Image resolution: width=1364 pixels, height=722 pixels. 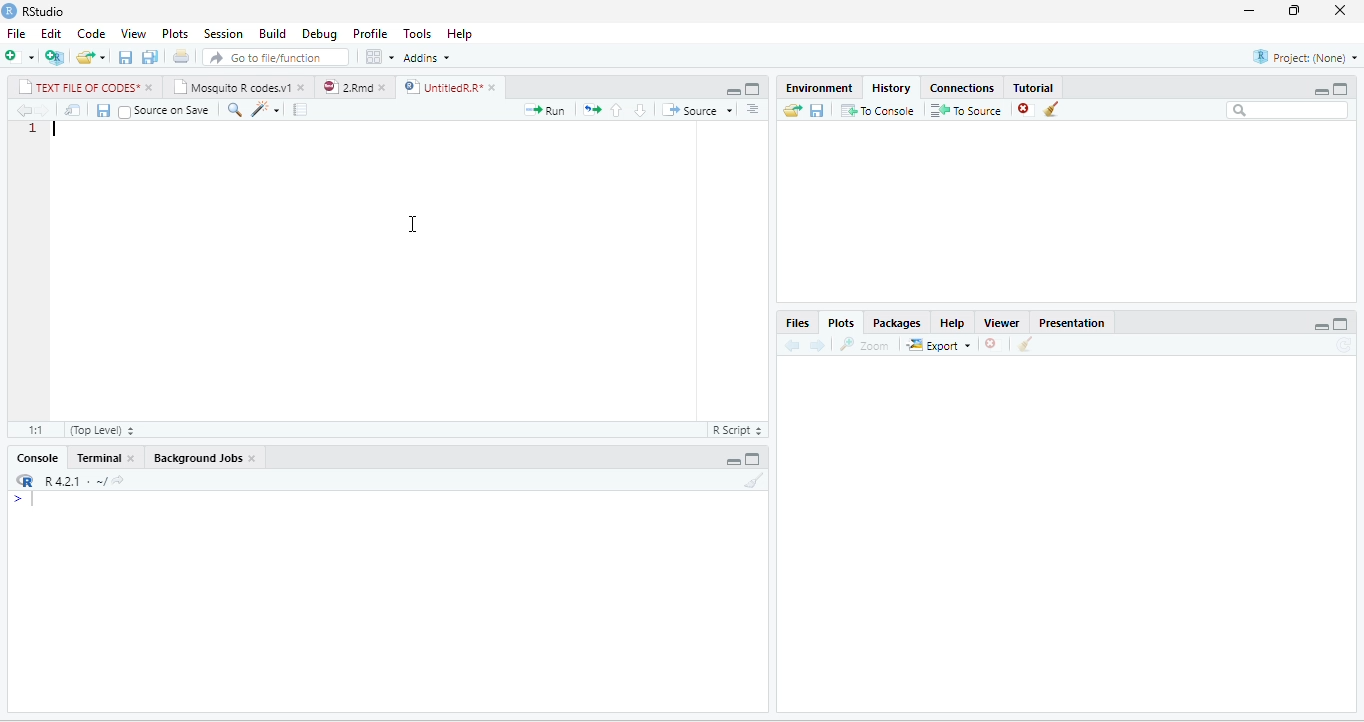 What do you see at coordinates (864, 344) in the screenshot?
I see `Zoom` at bounding box center [864, 344].